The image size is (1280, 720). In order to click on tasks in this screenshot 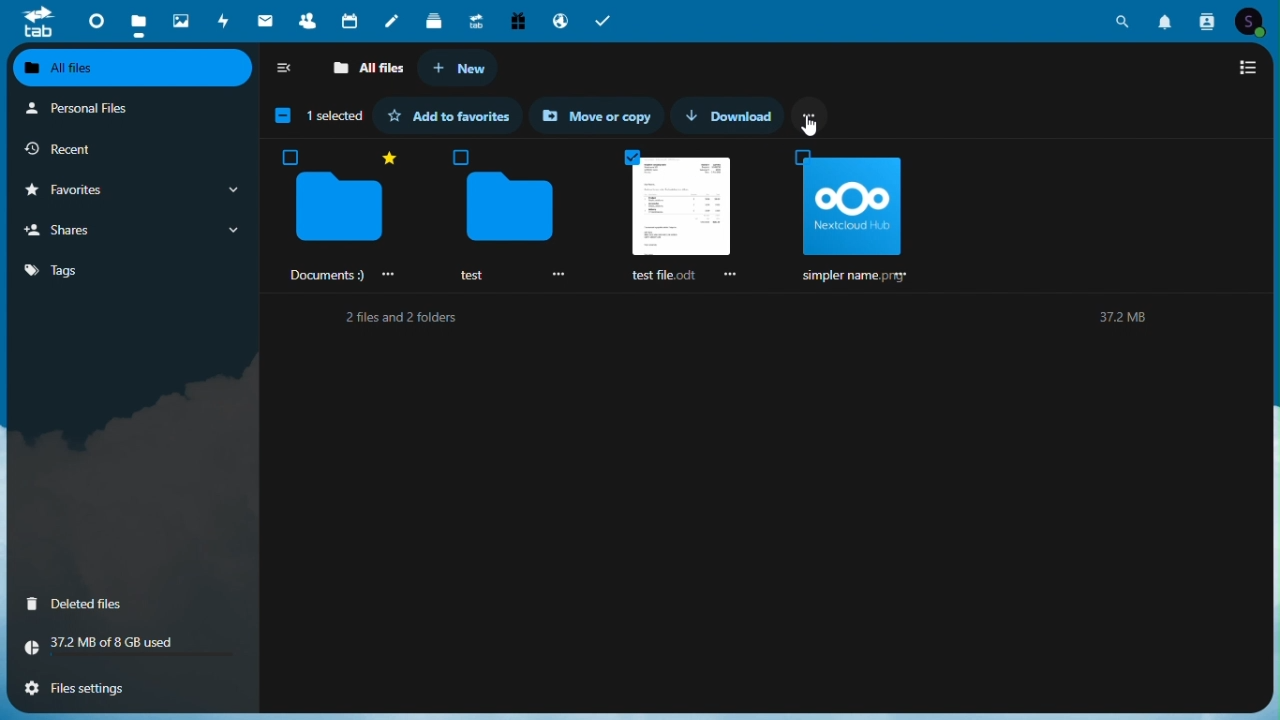, I will do `click(604, 21)`.